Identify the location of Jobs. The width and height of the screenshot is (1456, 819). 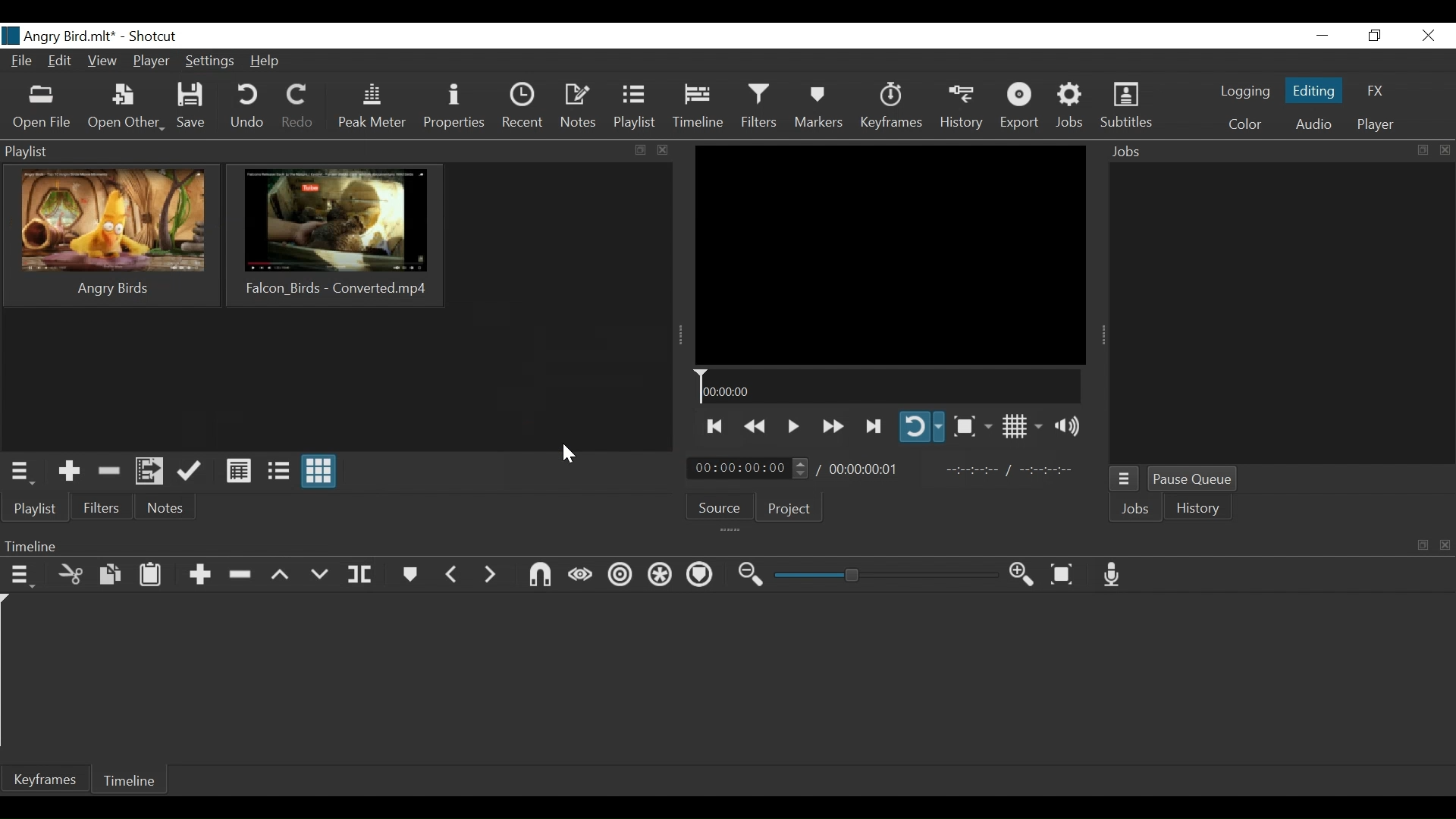
(1136, 509).